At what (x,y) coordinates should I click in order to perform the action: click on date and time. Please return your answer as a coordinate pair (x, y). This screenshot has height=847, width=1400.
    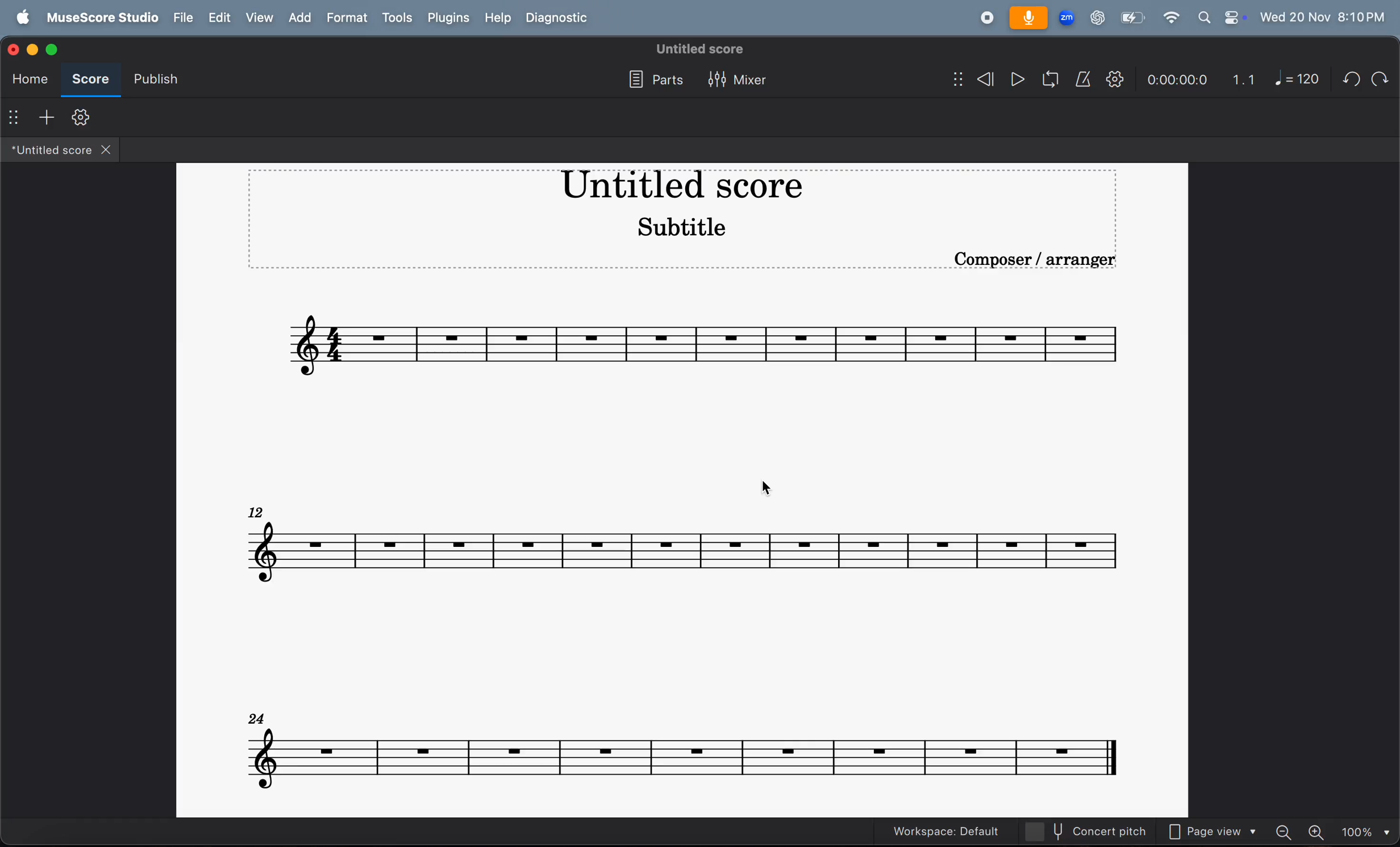
    Looking at the image, I should click on (1323, 18).